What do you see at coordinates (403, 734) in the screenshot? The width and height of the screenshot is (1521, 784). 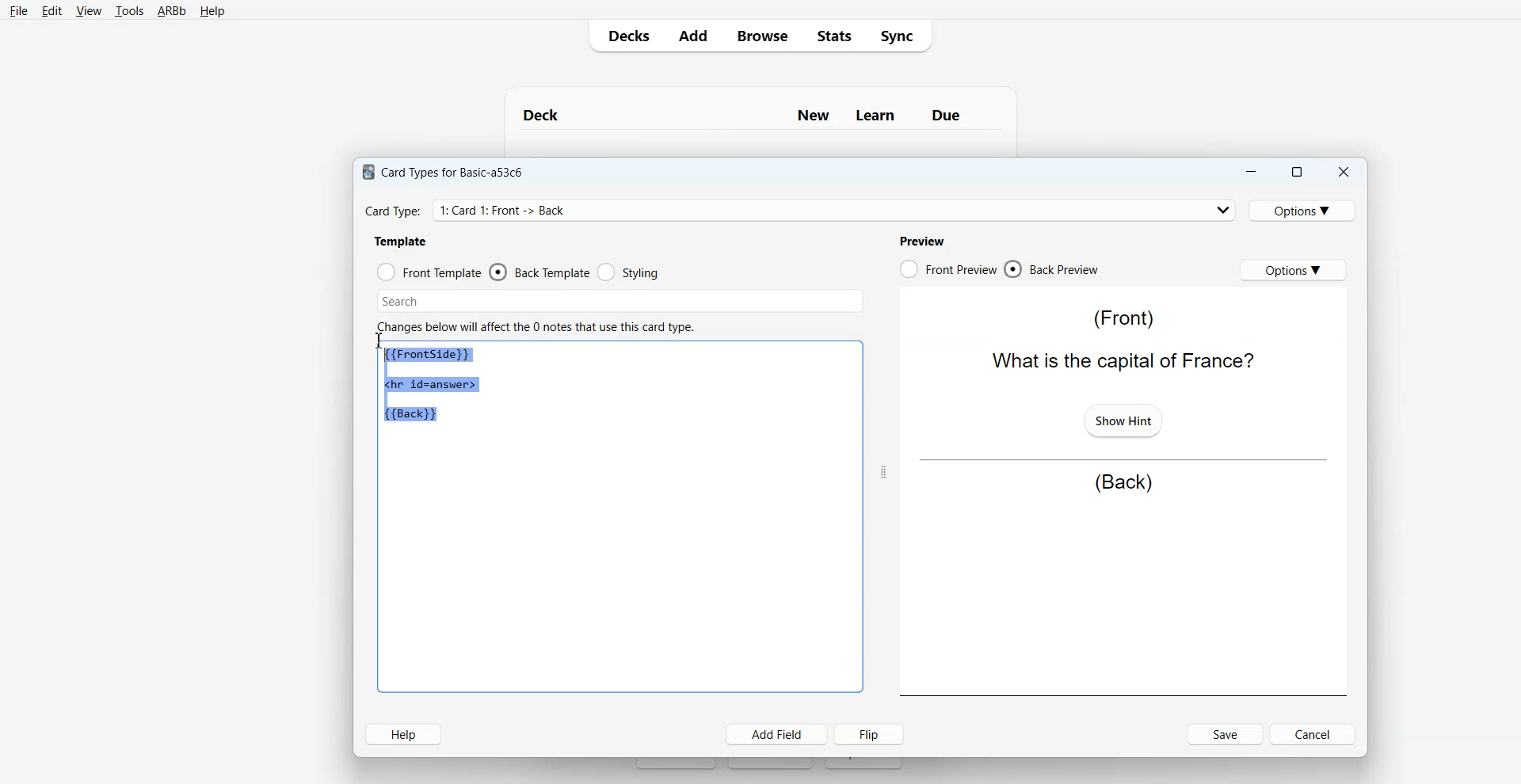 I see `Help` at bounding box center [403, 734].